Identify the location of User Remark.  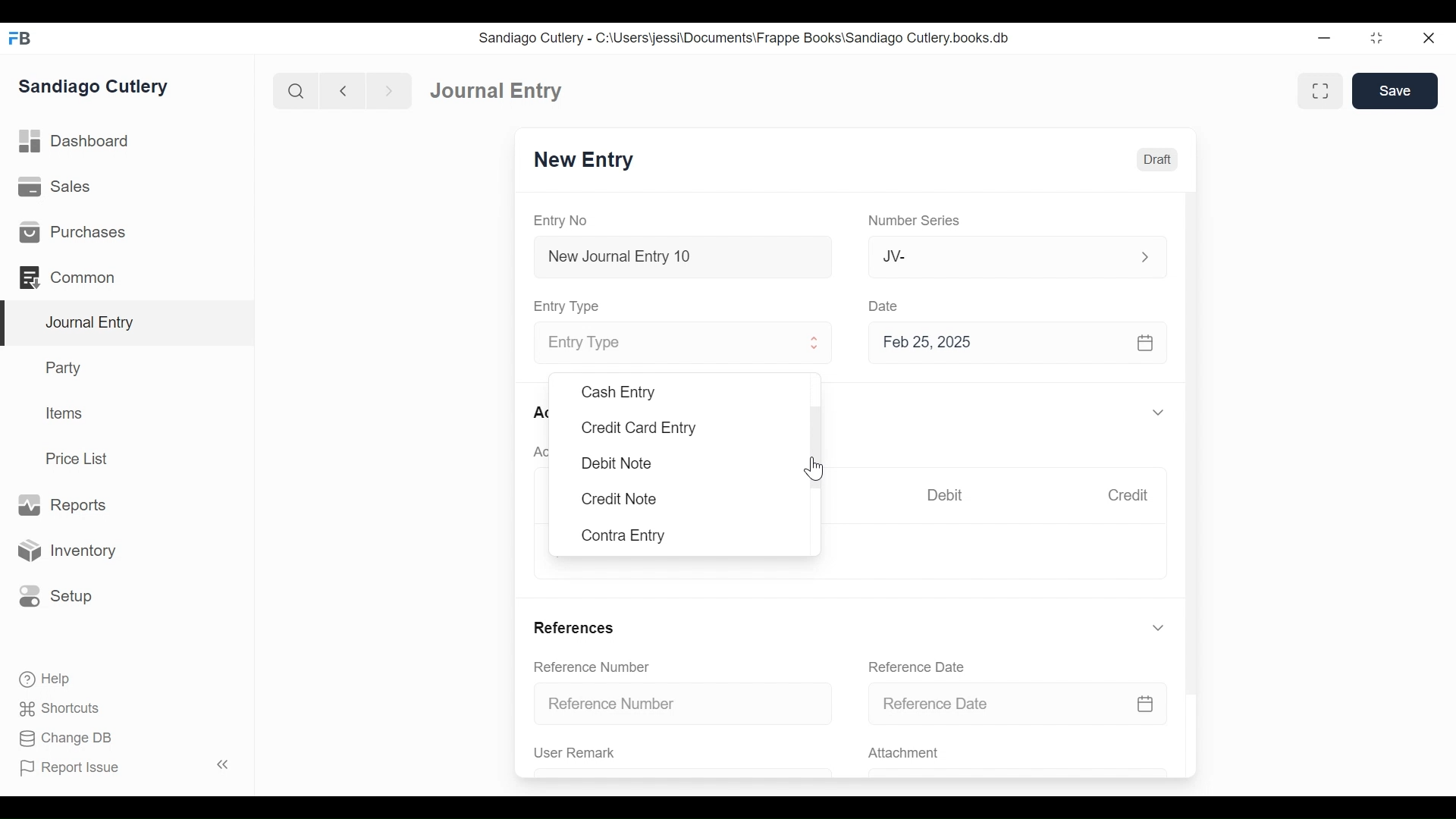
(575, 753).